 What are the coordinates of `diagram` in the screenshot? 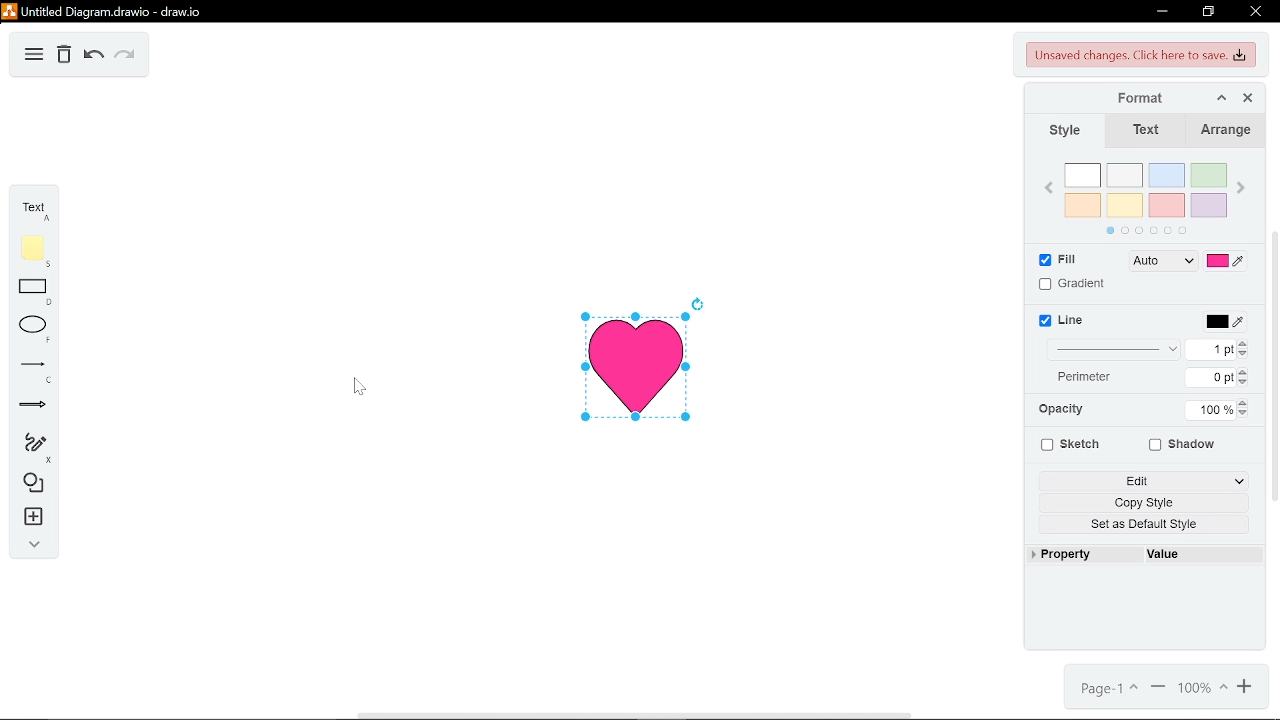 It's located at (35, 56).